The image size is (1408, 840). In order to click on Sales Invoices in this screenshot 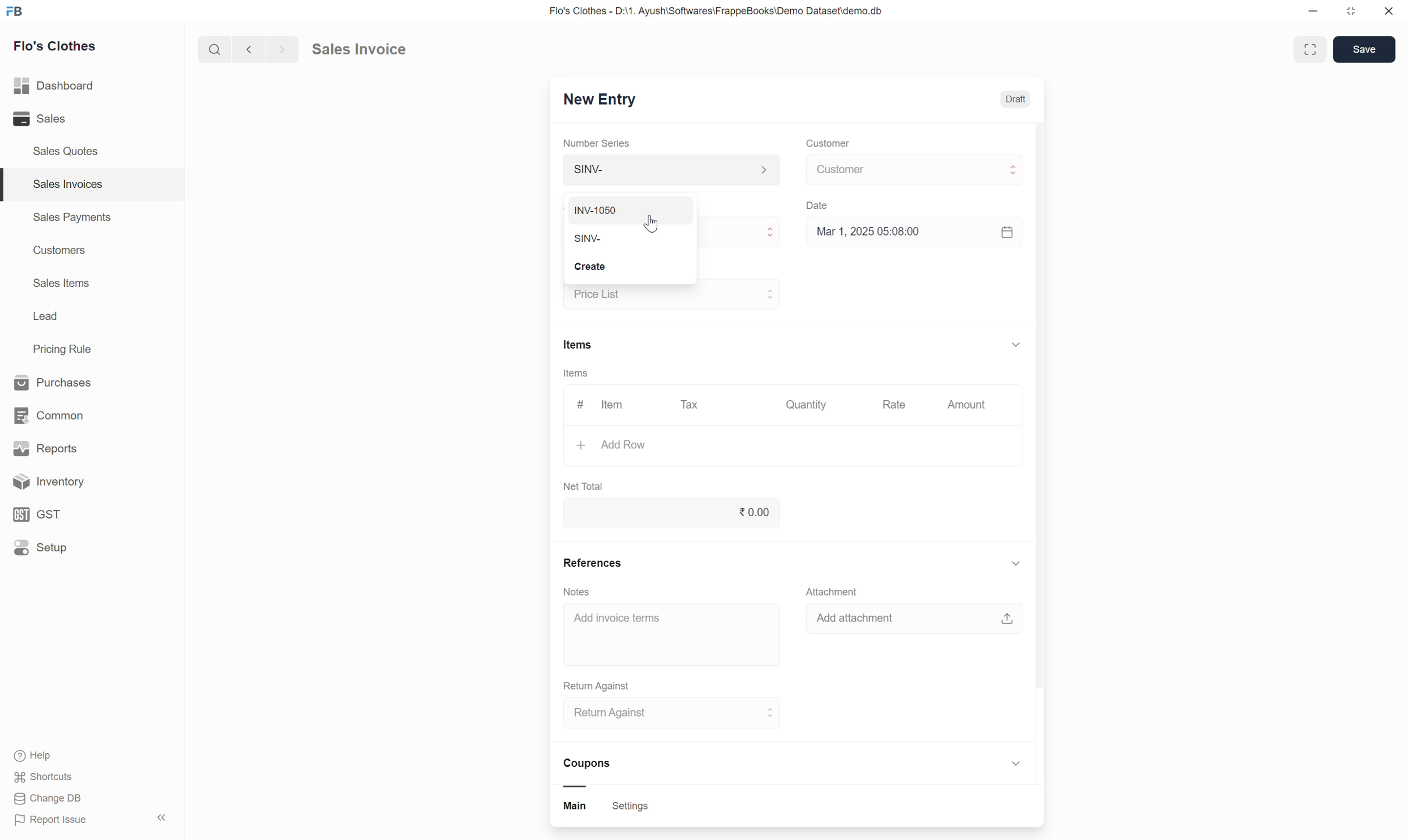, I will do `click(66, 184)`.